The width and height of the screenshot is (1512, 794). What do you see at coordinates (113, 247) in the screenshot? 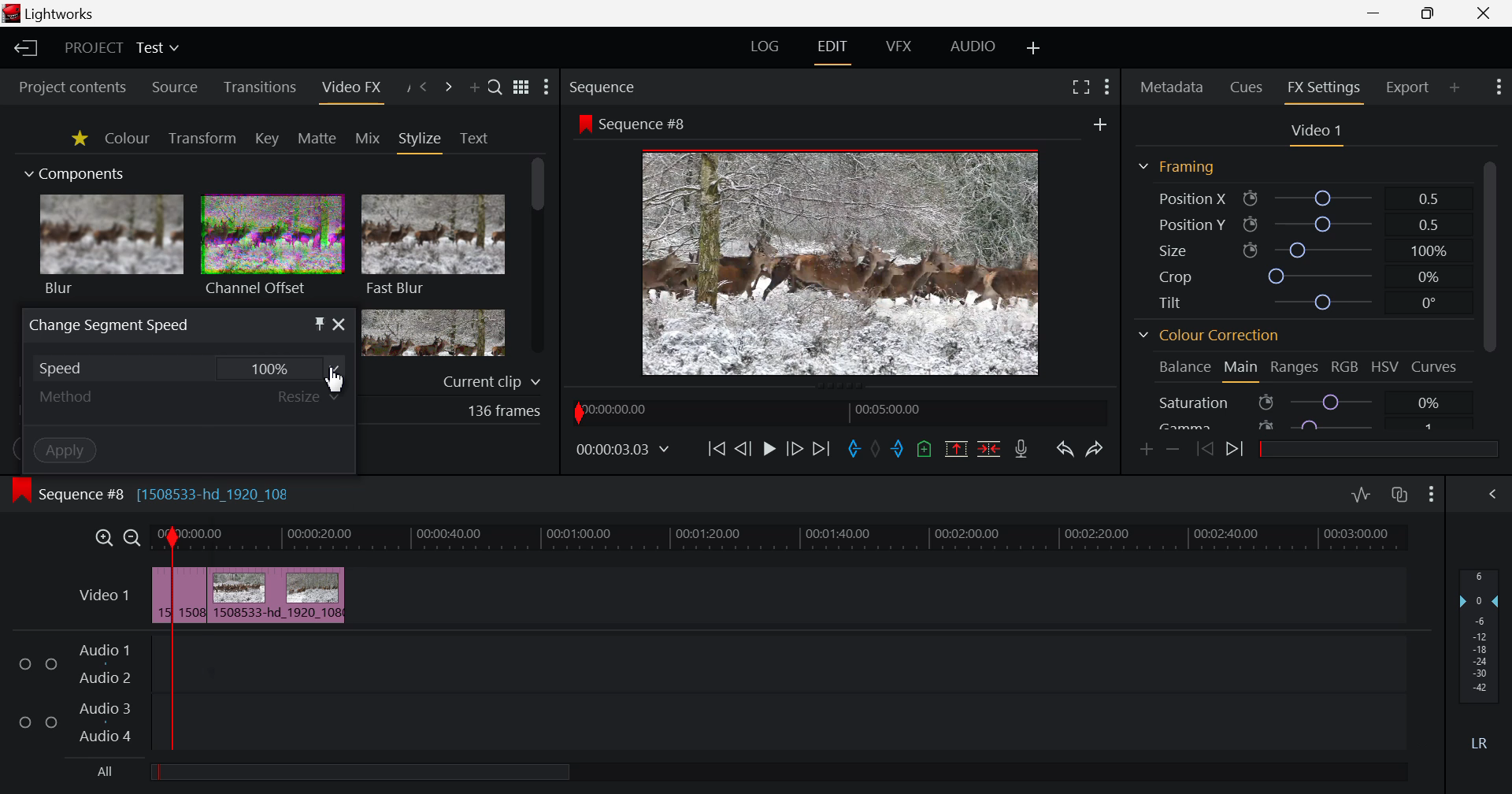
I see `blur` at bounding box center [113, 247].